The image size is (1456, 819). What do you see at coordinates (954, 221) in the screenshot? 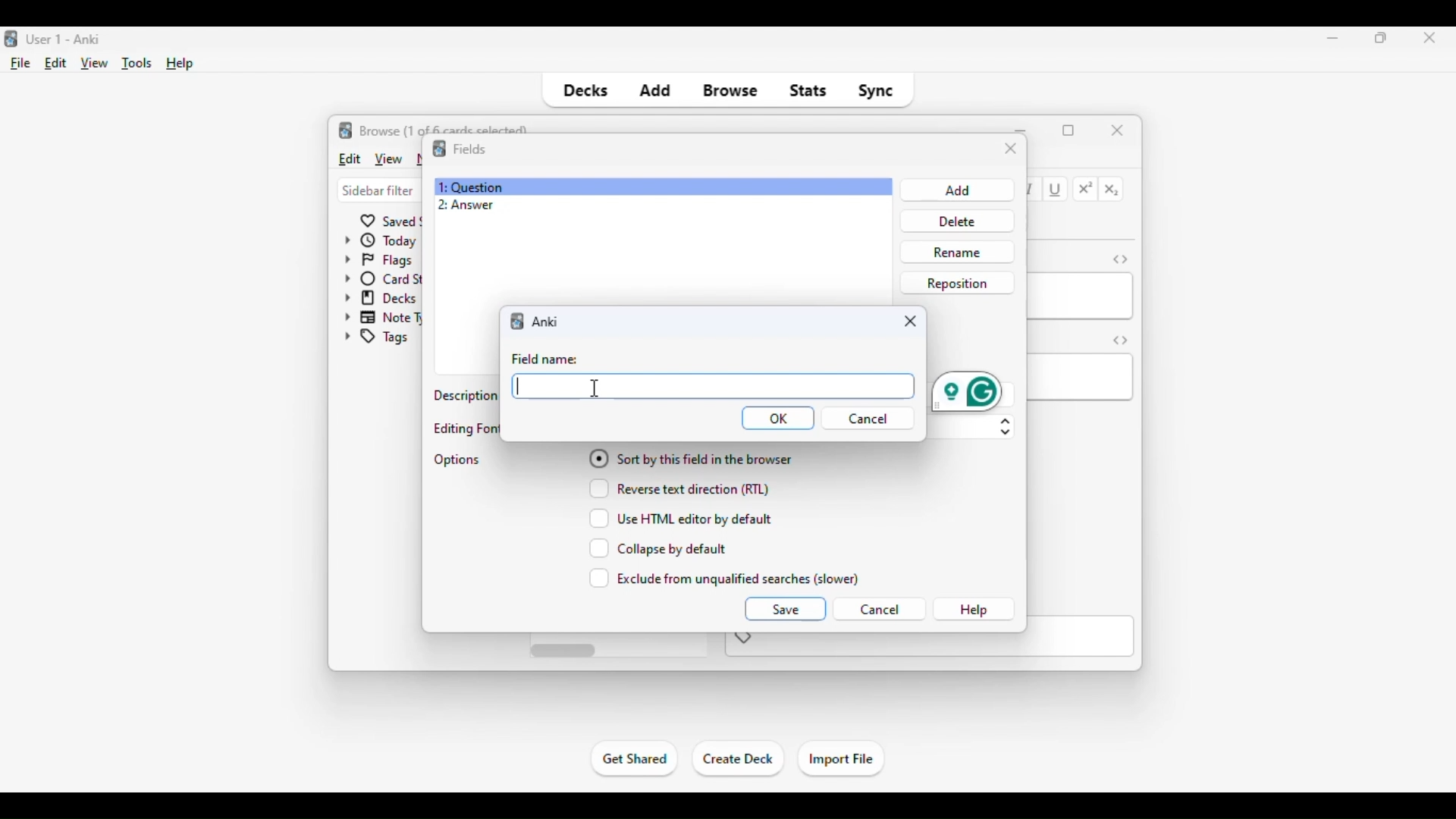
I see `delete` at bounding box center [954, 221].